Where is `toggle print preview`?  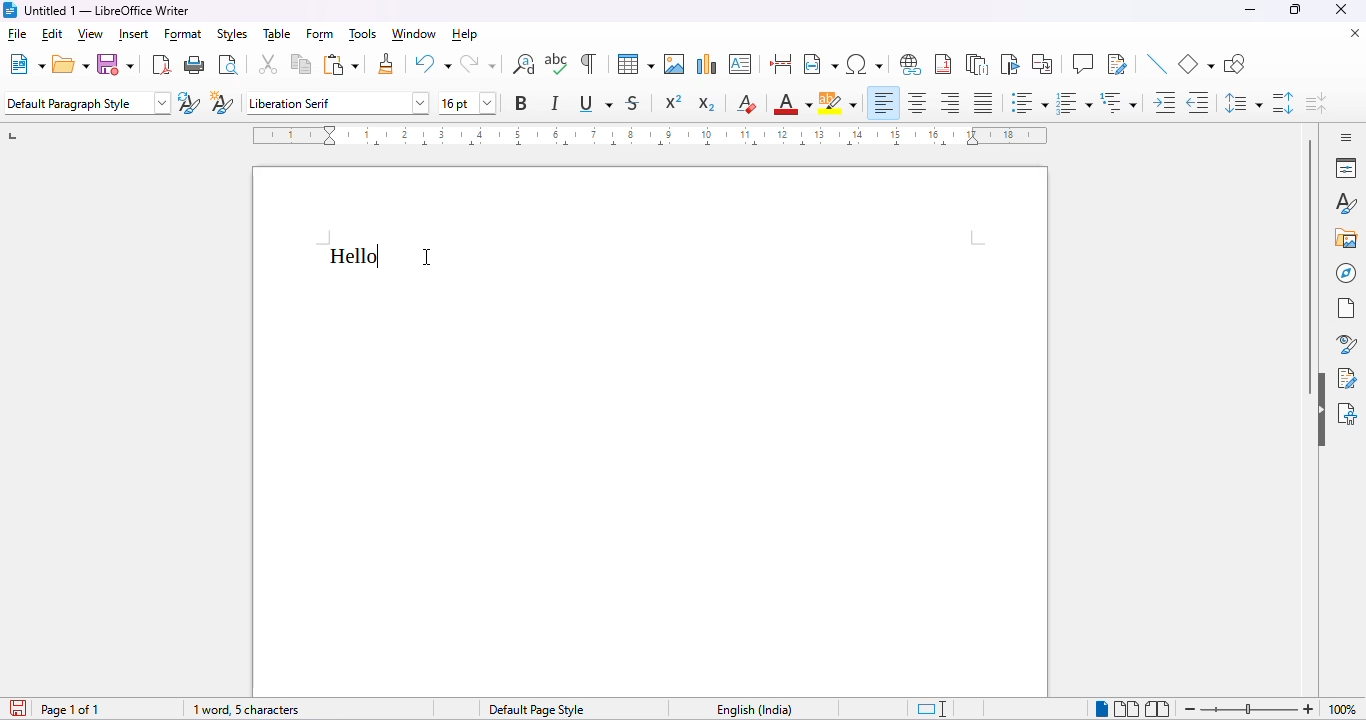 toggle print preview is located at coordinates (230, 64).